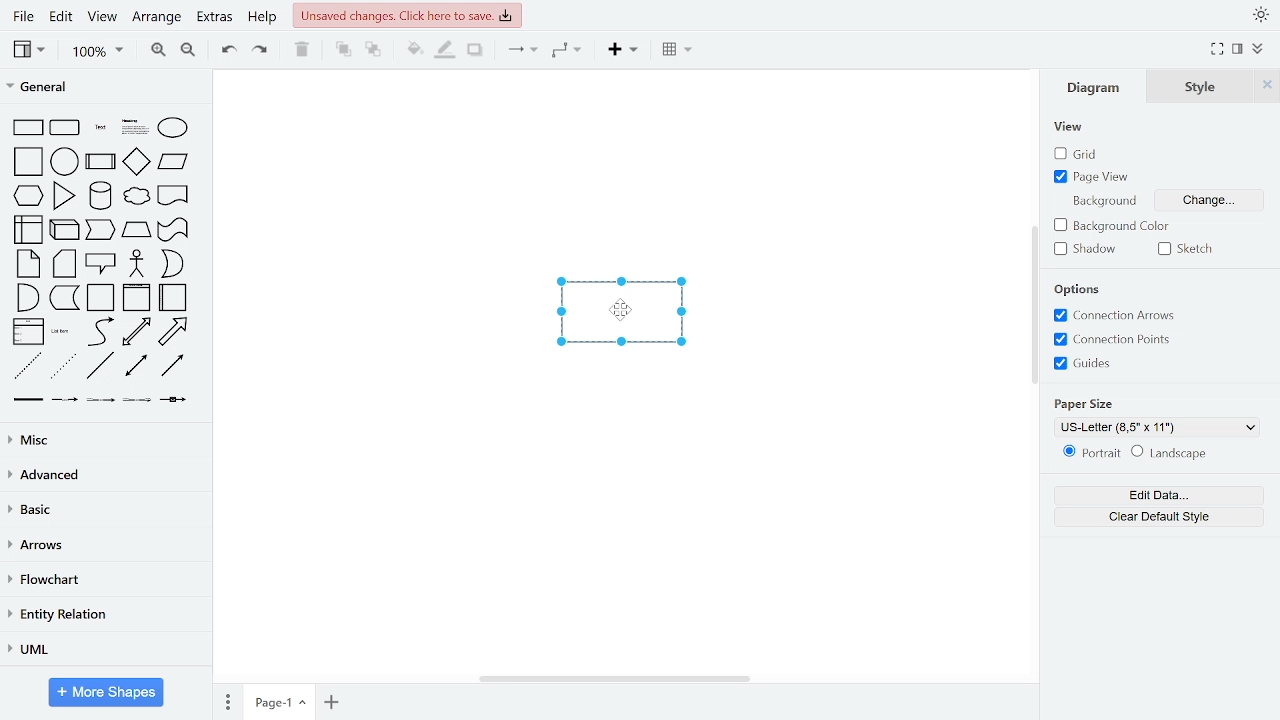 This screenshot has height=720, width=1280. I want to click on general shapes, so click(98, 195).